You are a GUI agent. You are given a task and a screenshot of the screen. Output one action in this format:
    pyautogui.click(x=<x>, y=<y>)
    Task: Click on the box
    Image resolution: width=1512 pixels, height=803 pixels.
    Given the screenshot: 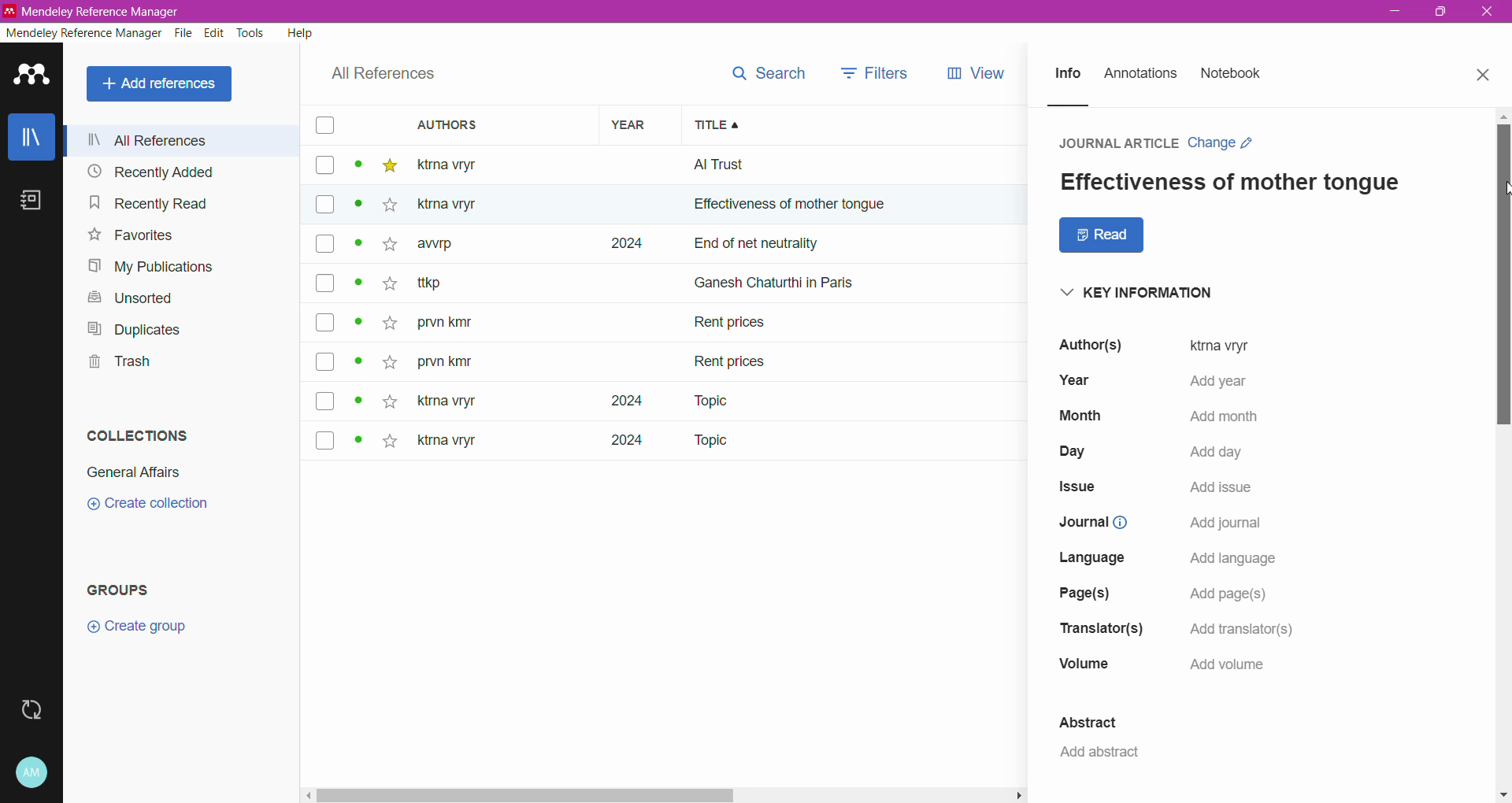 What is the action you would take?
    pyautogui.click(x=325, y=322)
    